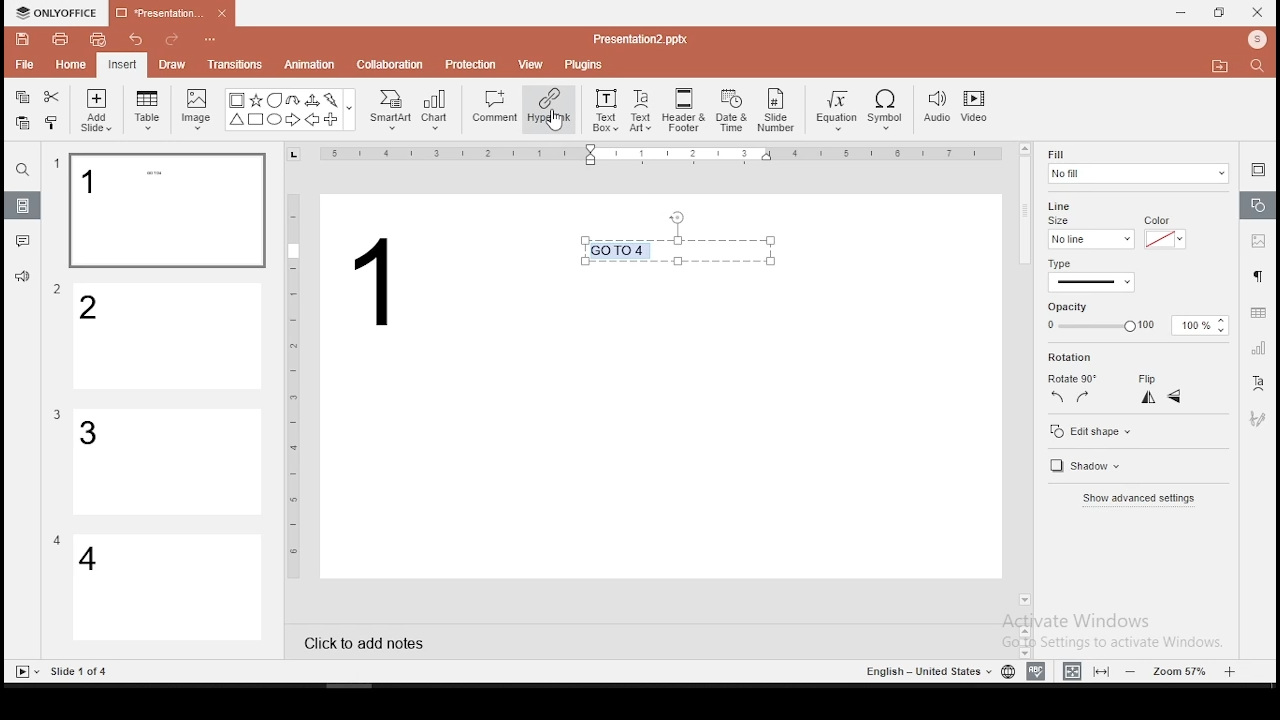 This screenshot has width=1280, height=720. Describe the element at coordinates (640, 38) in the screenshot. I see `` at that location.